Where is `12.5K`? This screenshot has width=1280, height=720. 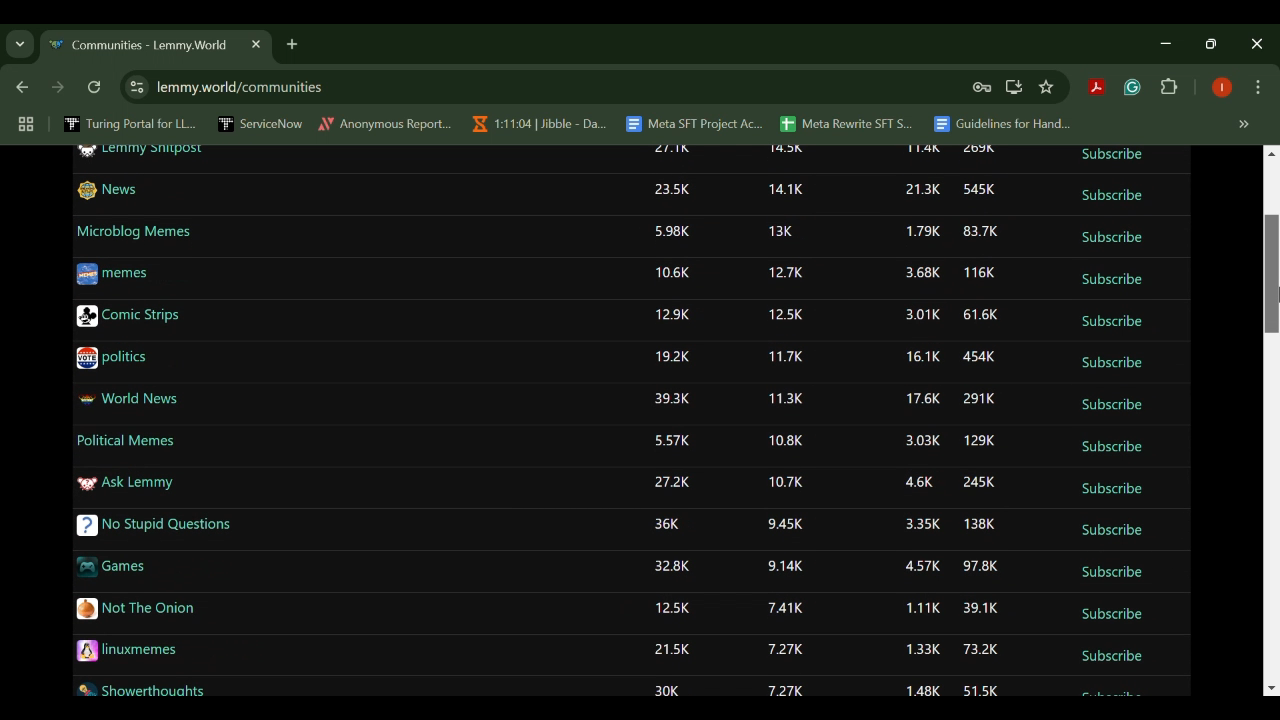 12.5K is located at coordinates (788, 314).